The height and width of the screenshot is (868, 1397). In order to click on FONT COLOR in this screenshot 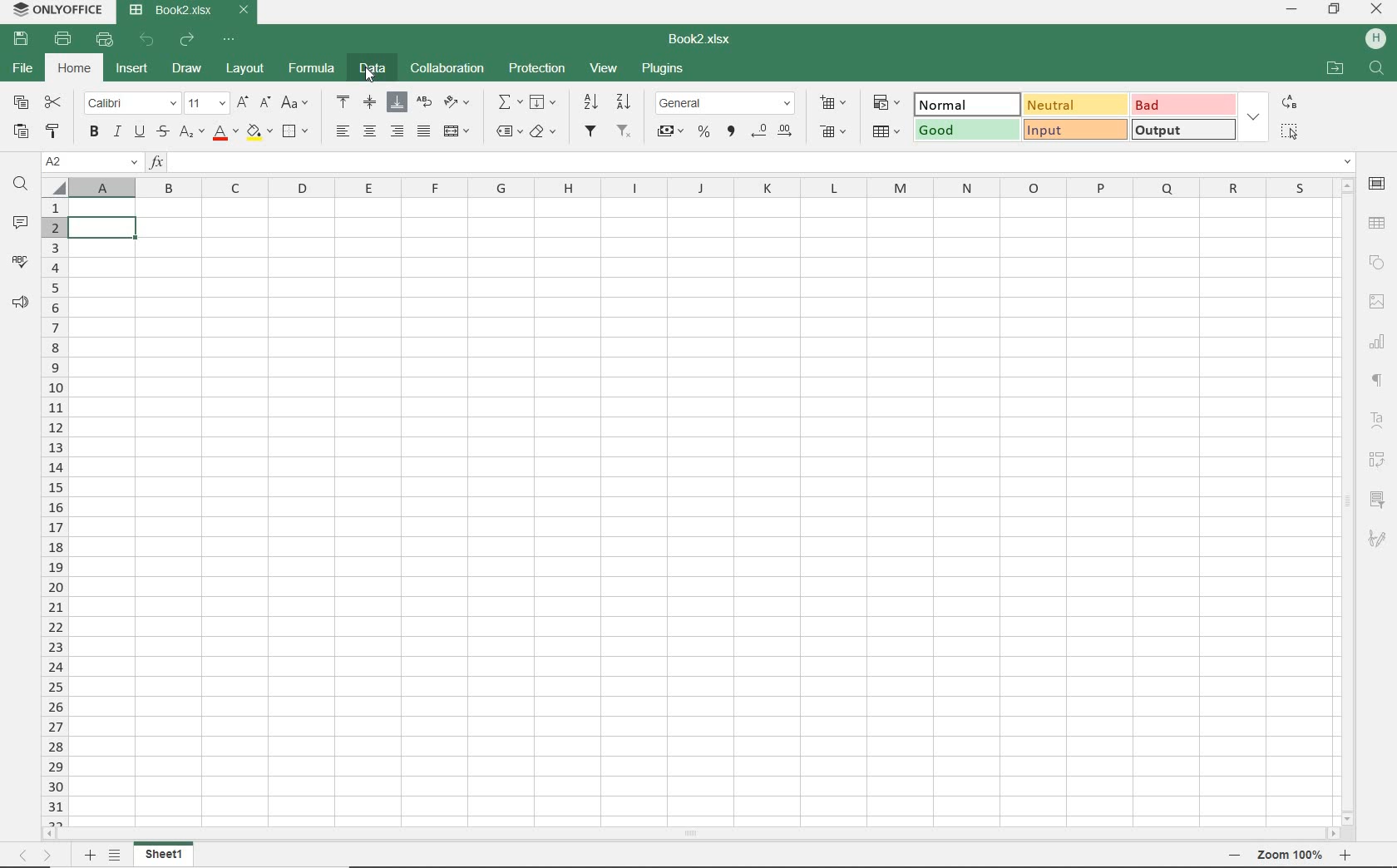, I will do `click(224, 133)`.